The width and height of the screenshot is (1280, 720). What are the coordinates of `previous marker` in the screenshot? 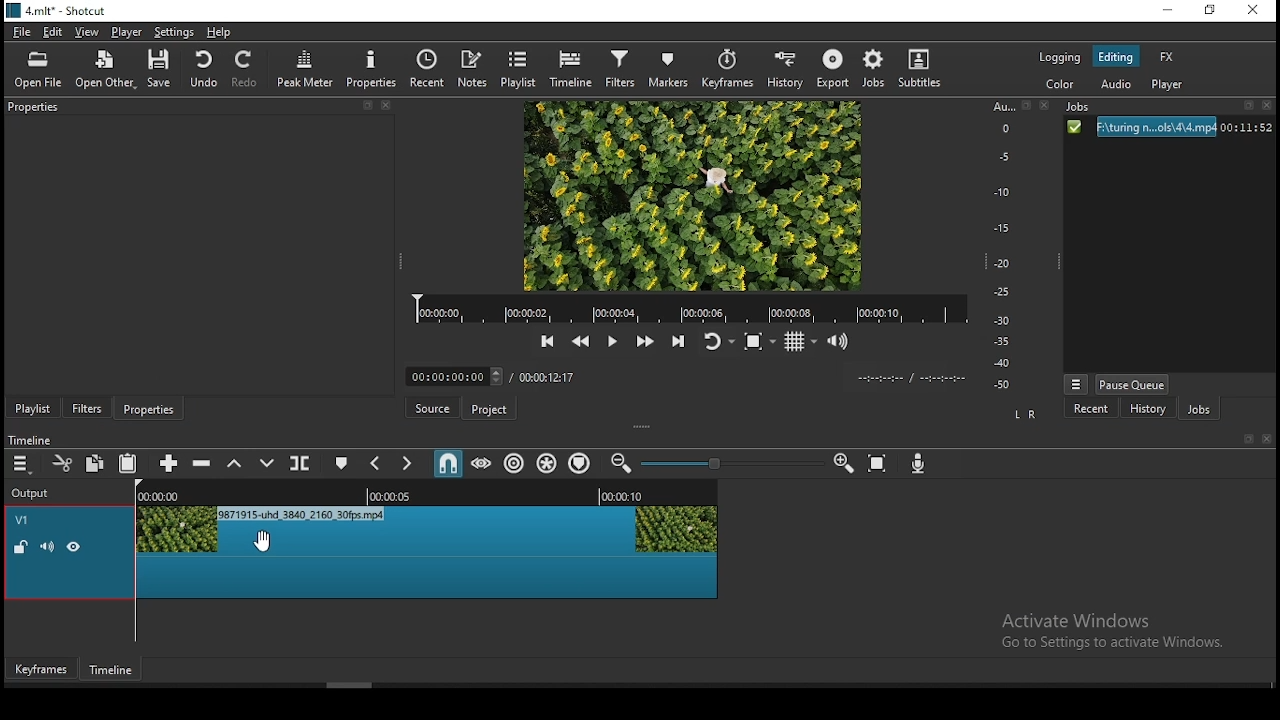 It's located at (377, 465).